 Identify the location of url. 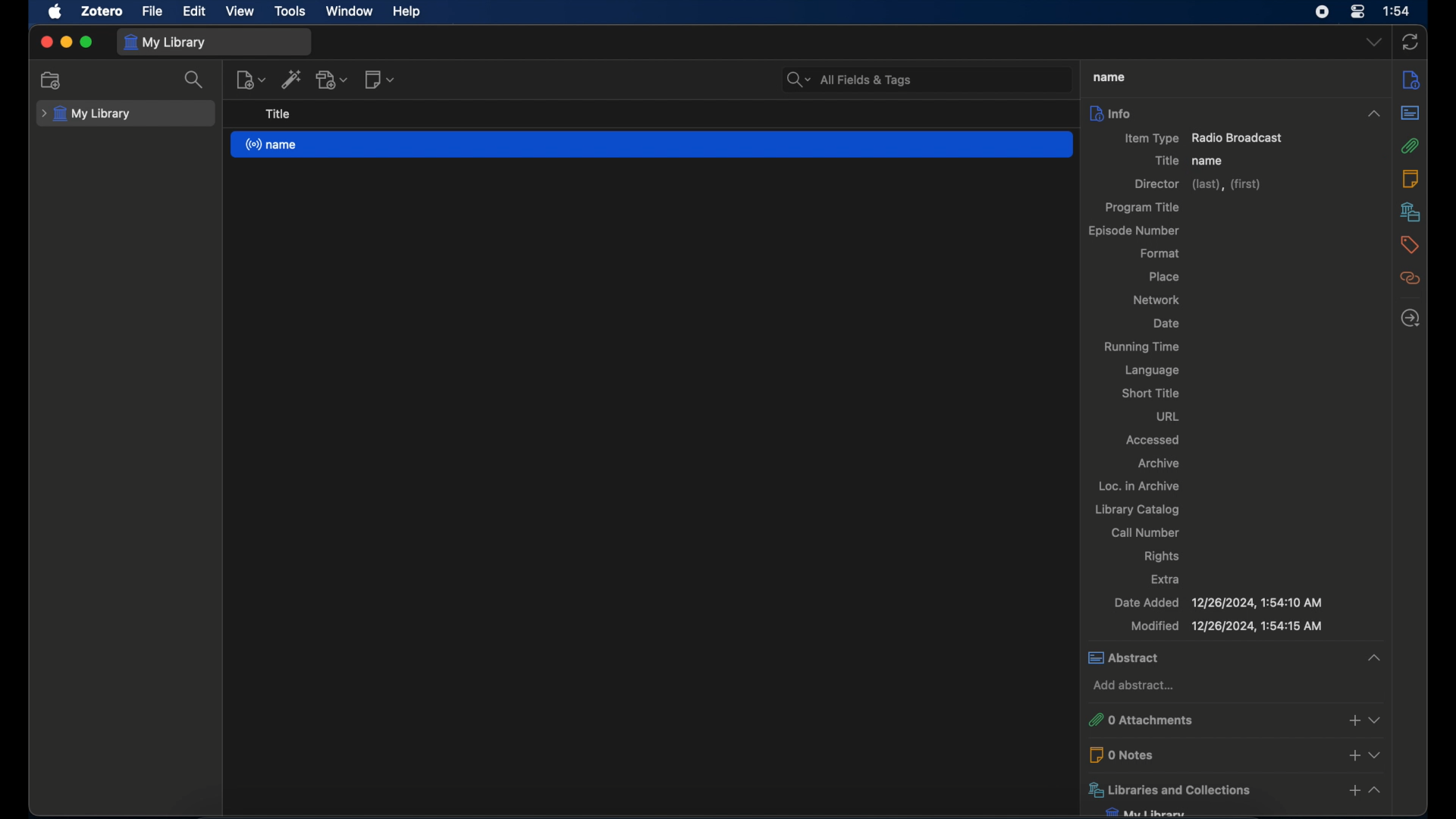
(1169, 416).